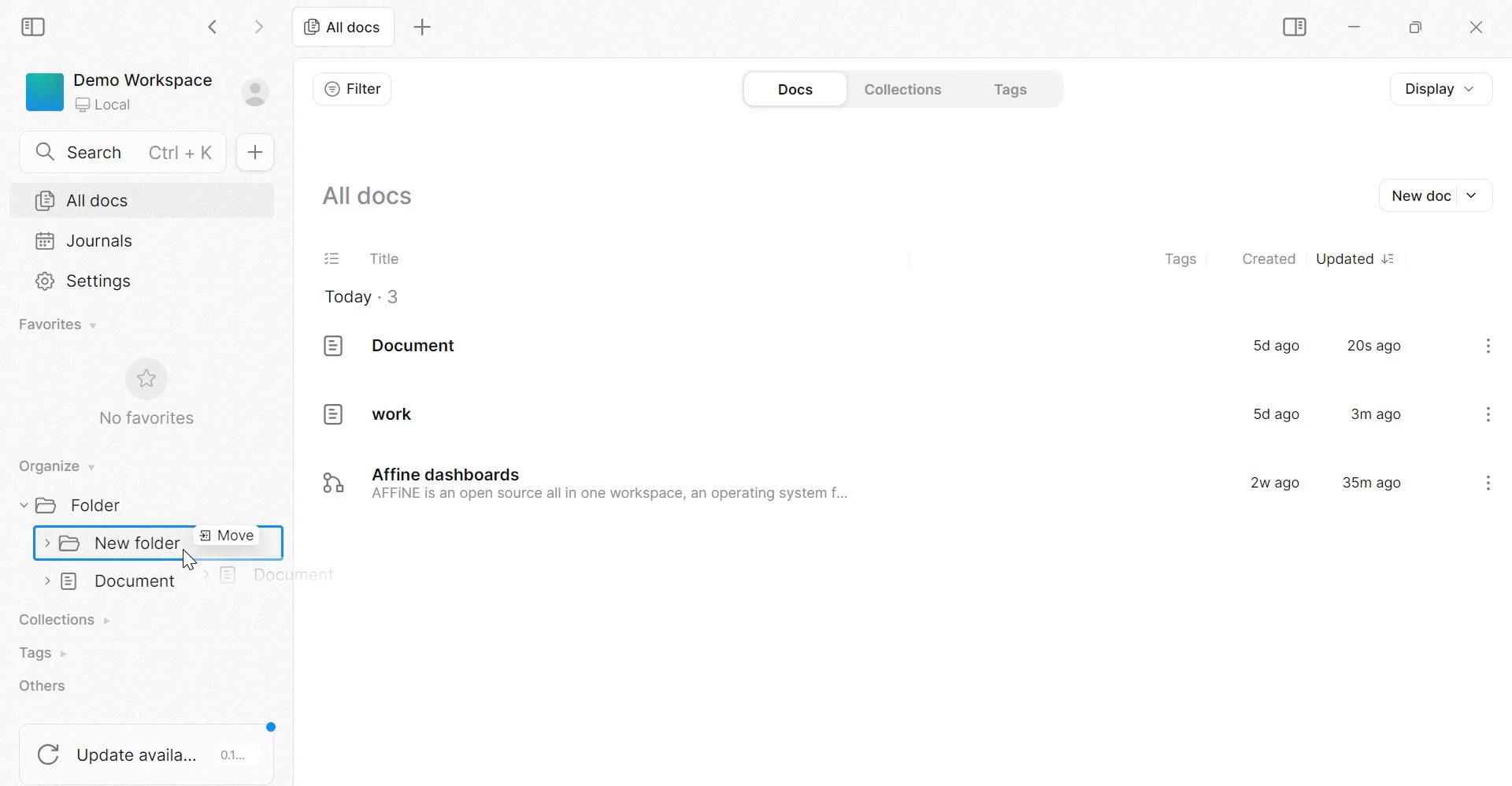 Image resolution: width=1512 pixels, height=786 pixels. Describe the element at coordinates (1273, 413) in the screenshot. I see `5d ago` at that location.